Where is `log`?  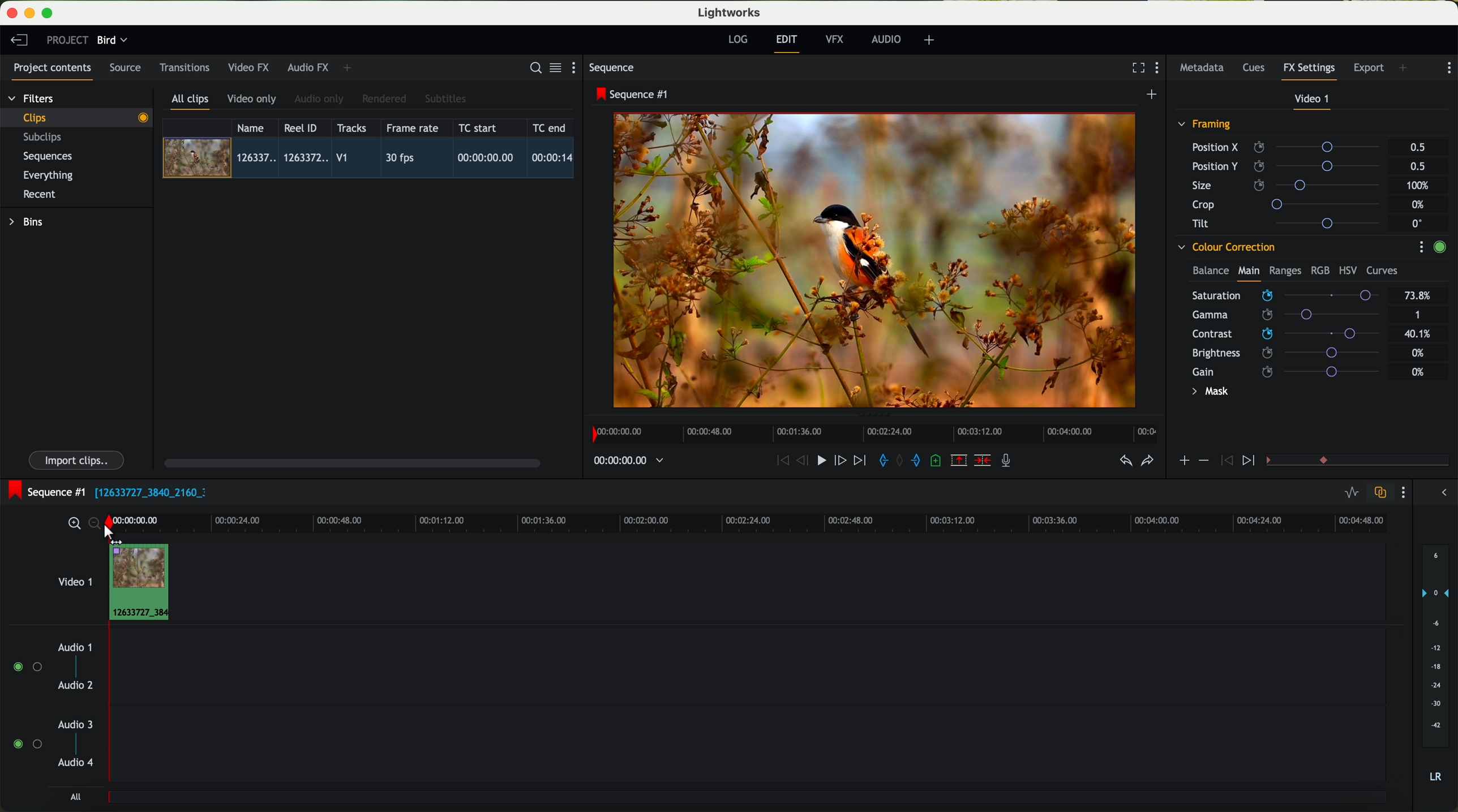
log is located at coordinates (737, 40).